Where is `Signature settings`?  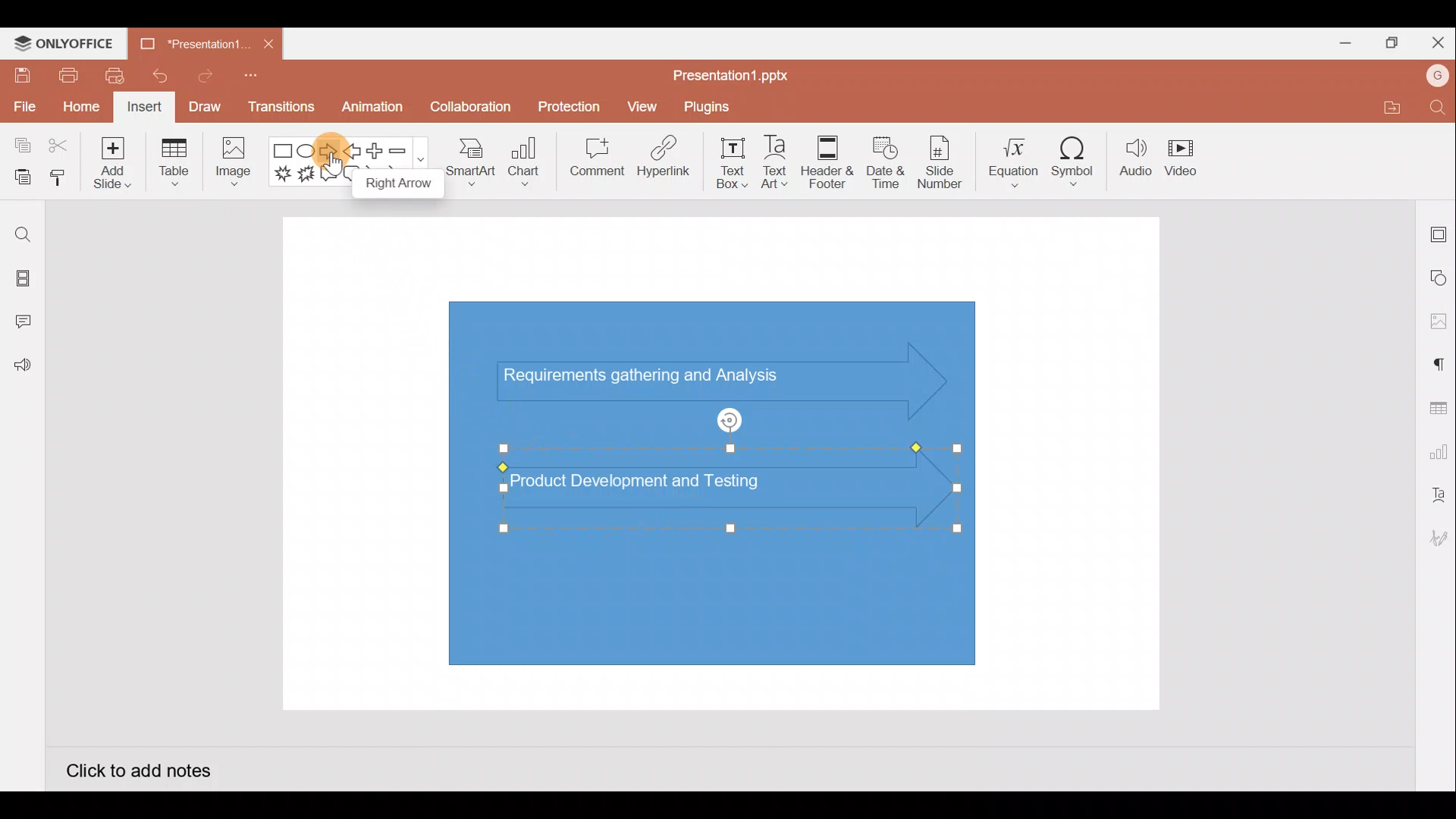
Signature settings is located at coordinates (1436, 540).